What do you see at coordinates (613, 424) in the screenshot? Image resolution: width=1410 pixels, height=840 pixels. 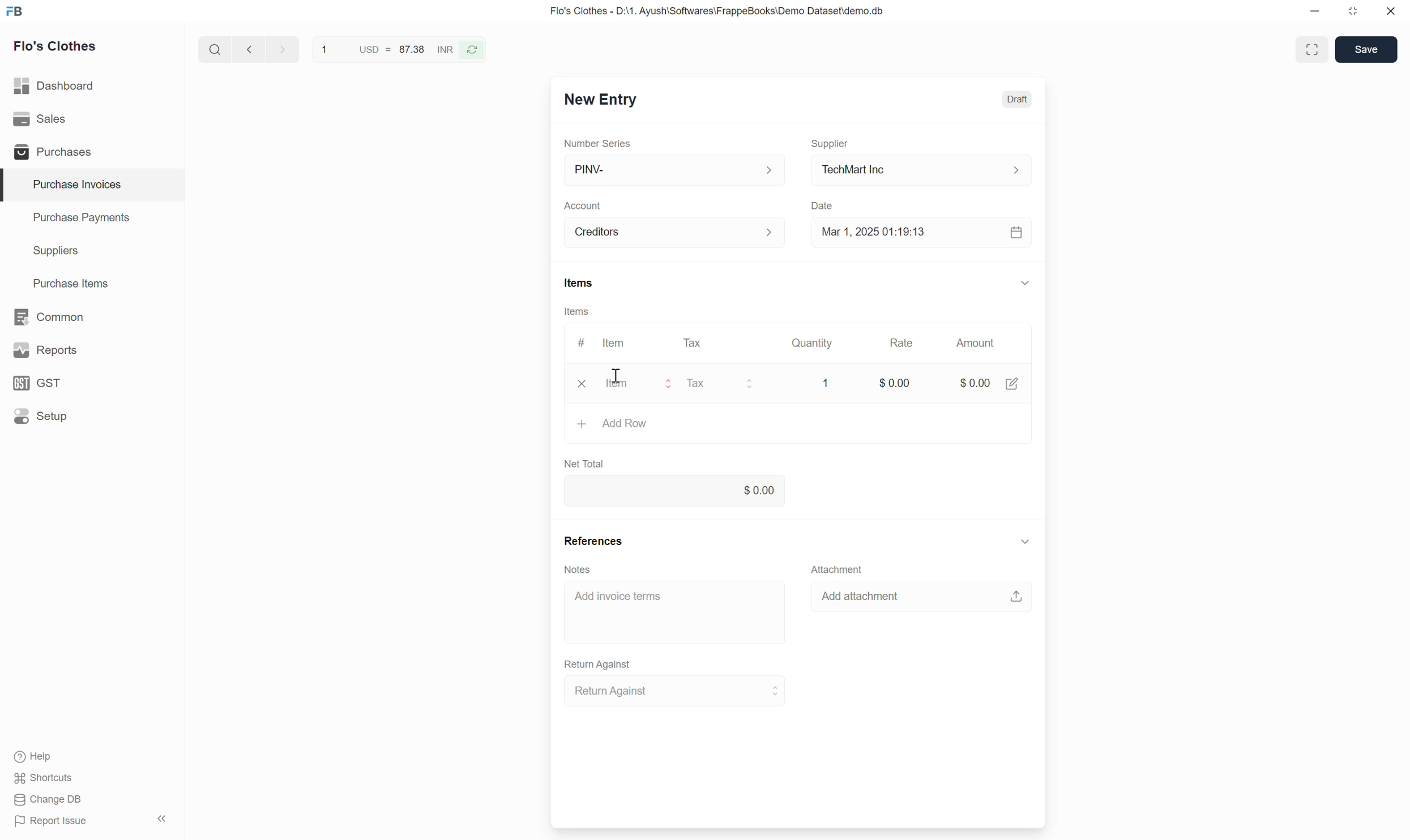 I see `+ Add Row` at bounding box center [613, 424].